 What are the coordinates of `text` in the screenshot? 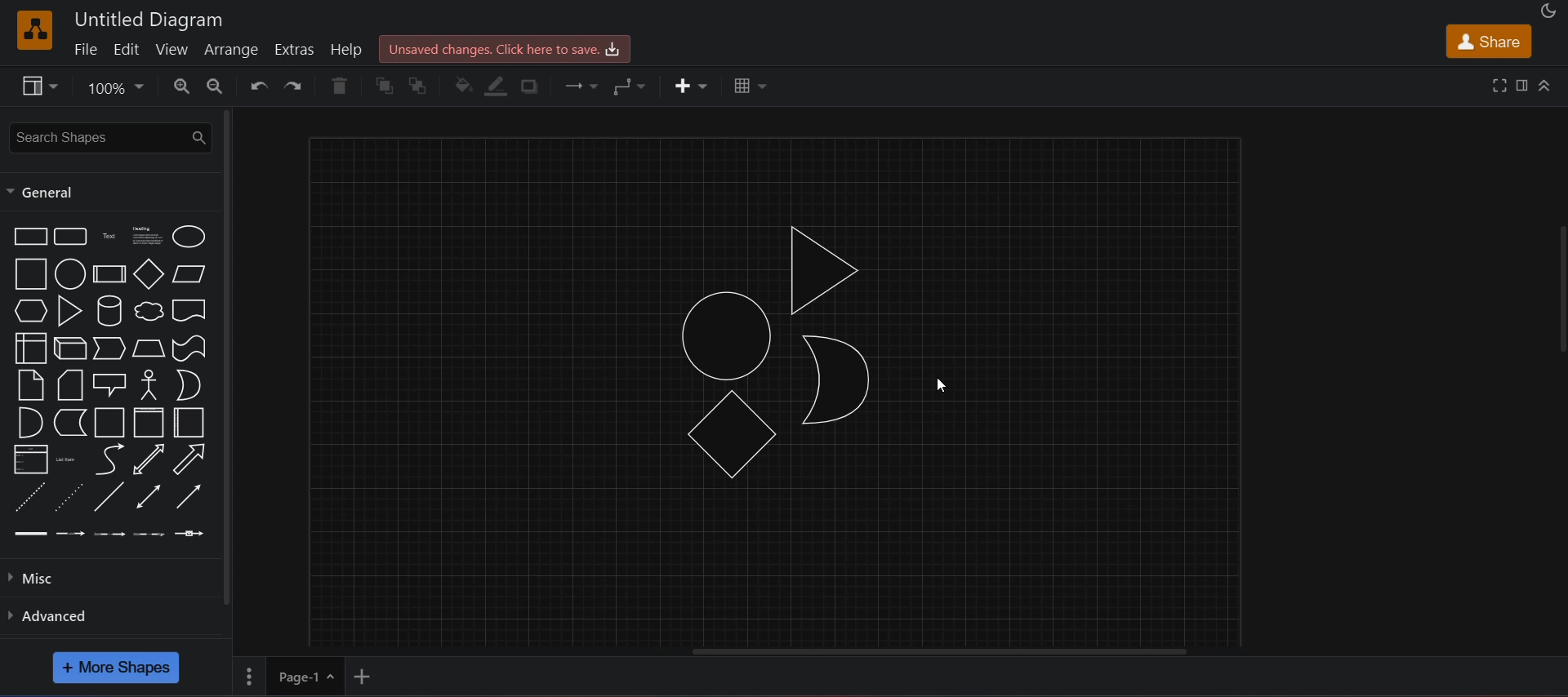 It's located at (109, 238).